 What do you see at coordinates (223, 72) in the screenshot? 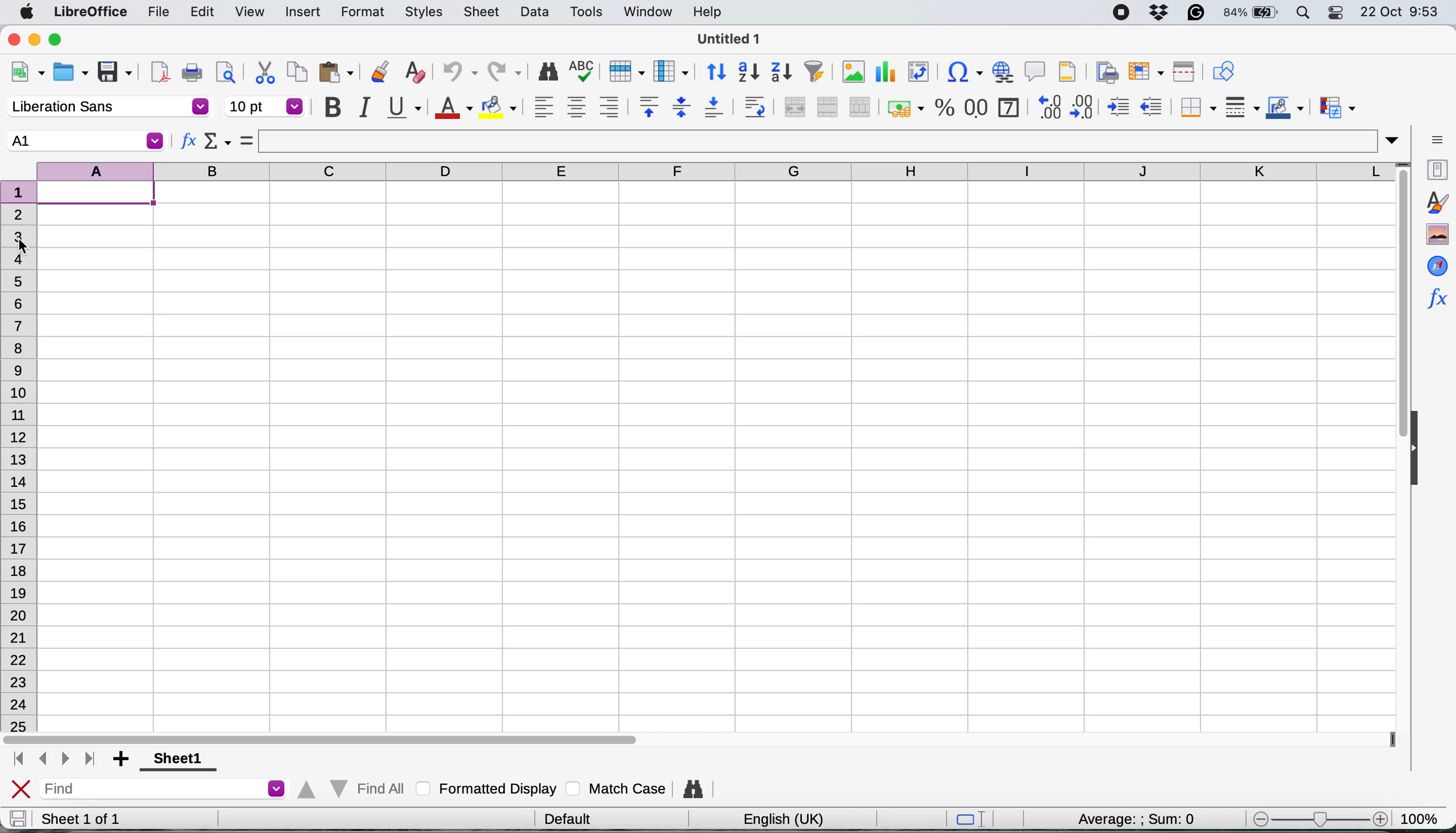
I see `print preview` at bounding box center [223, 72].